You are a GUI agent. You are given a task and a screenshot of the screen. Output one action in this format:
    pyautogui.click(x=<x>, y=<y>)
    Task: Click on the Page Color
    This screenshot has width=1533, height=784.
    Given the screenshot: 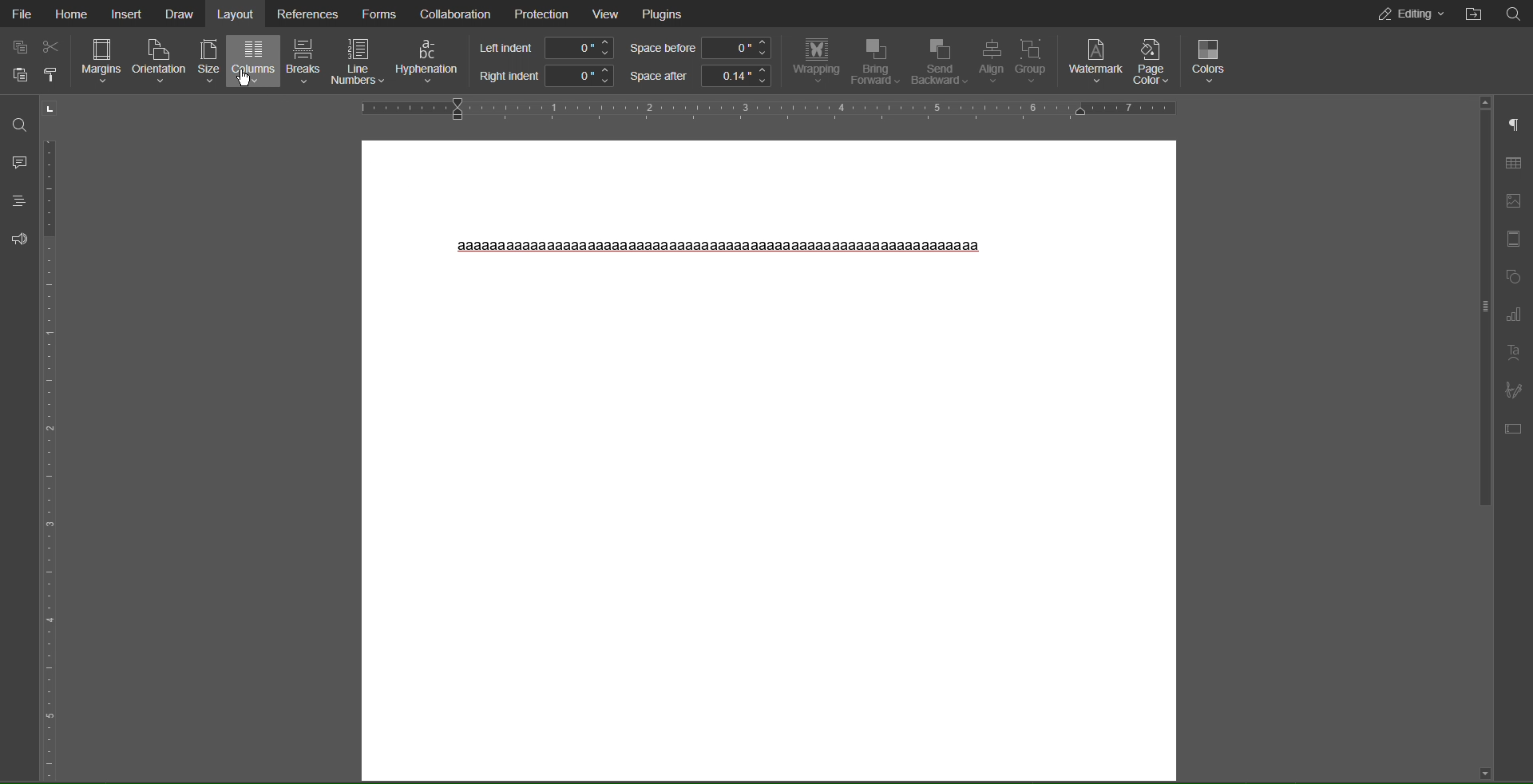 What is the action you would take?
    pyautogui.click(x=1154, y=61)
    